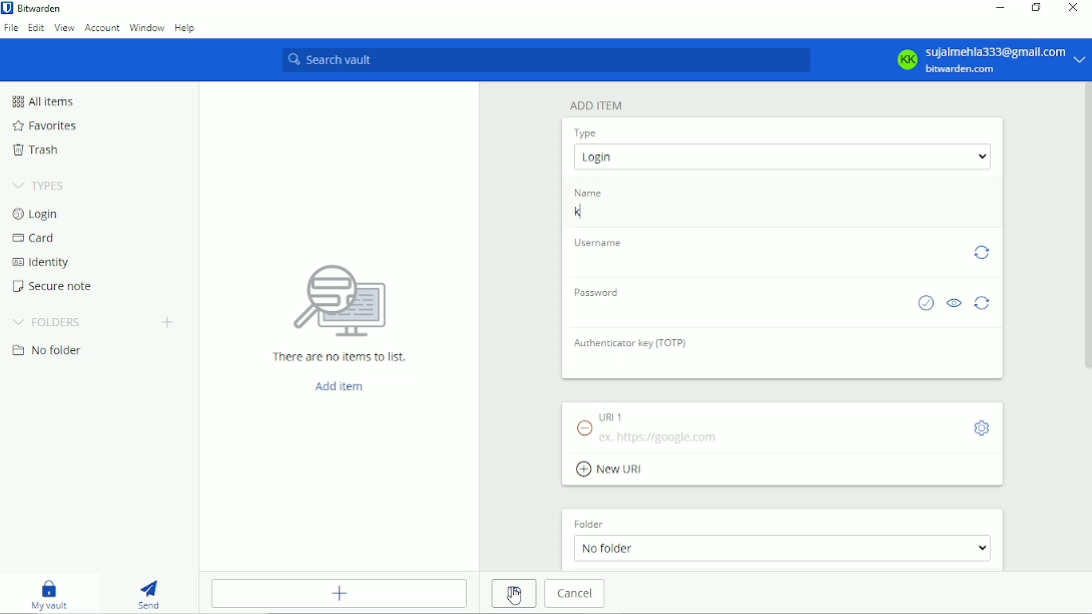 The width and height of the screenshot is (1092, 614). What do you see at coordinates (1037, 8) in the screenshot?
I see `Restore down` at bounding box center [1037, 8].